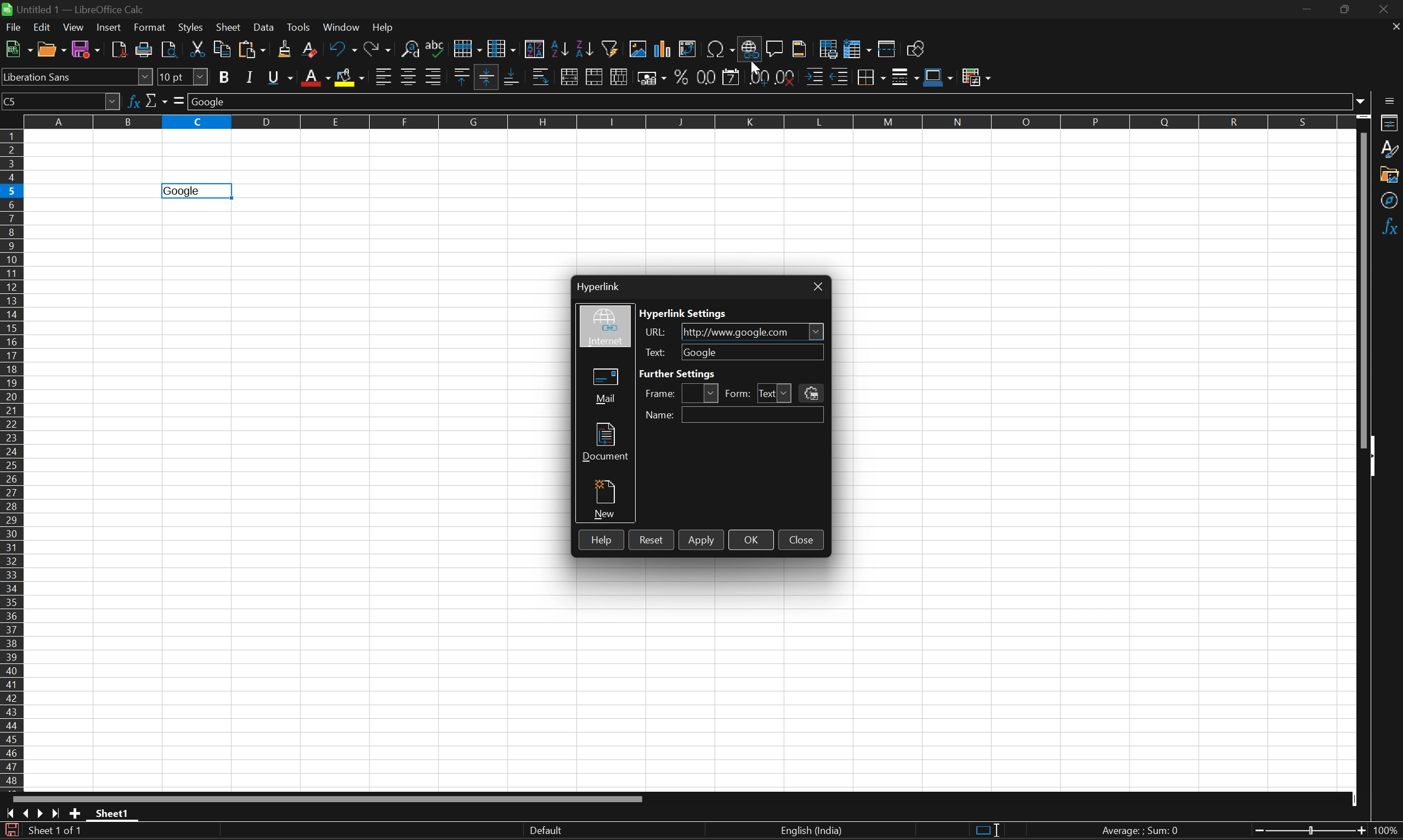 The width and height of the screenshot is (1403, 840). What do you see at coordinates (1391, 228) in the screenshot?
I see `Functions` at bounding box center [1391, 228].